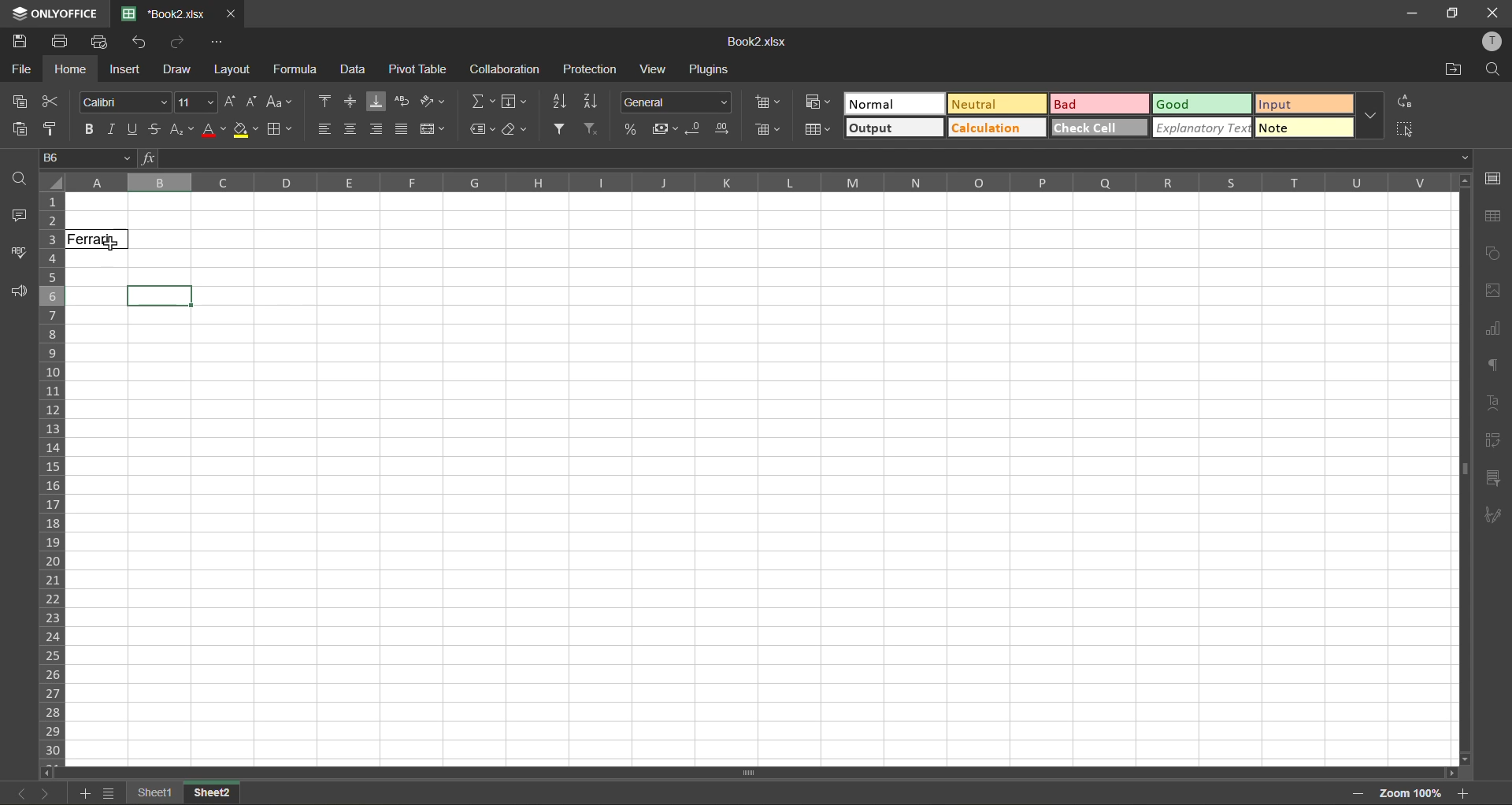 Image resolution: width=1512 pixels, height=805 pixels. What do you see at coordinates (377, 102) in the screenshot?
I see `align bottom` at bounding box center [377, 102].